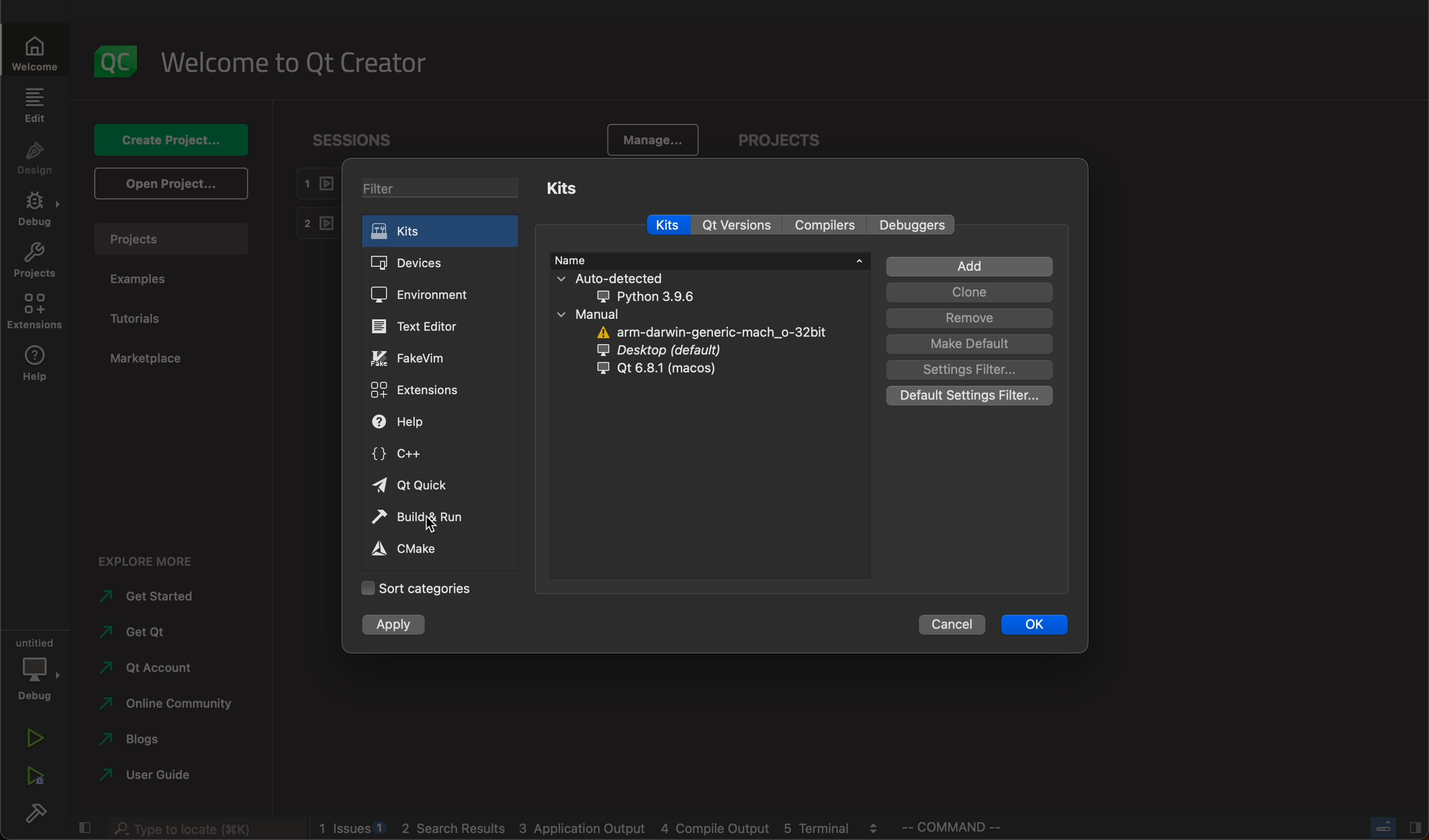 The width and height of the screenshot is (1429, 840). What do you see at coordinates (968, 370) in the screenshot?
I see `filter` at bounding box center [968, 370].